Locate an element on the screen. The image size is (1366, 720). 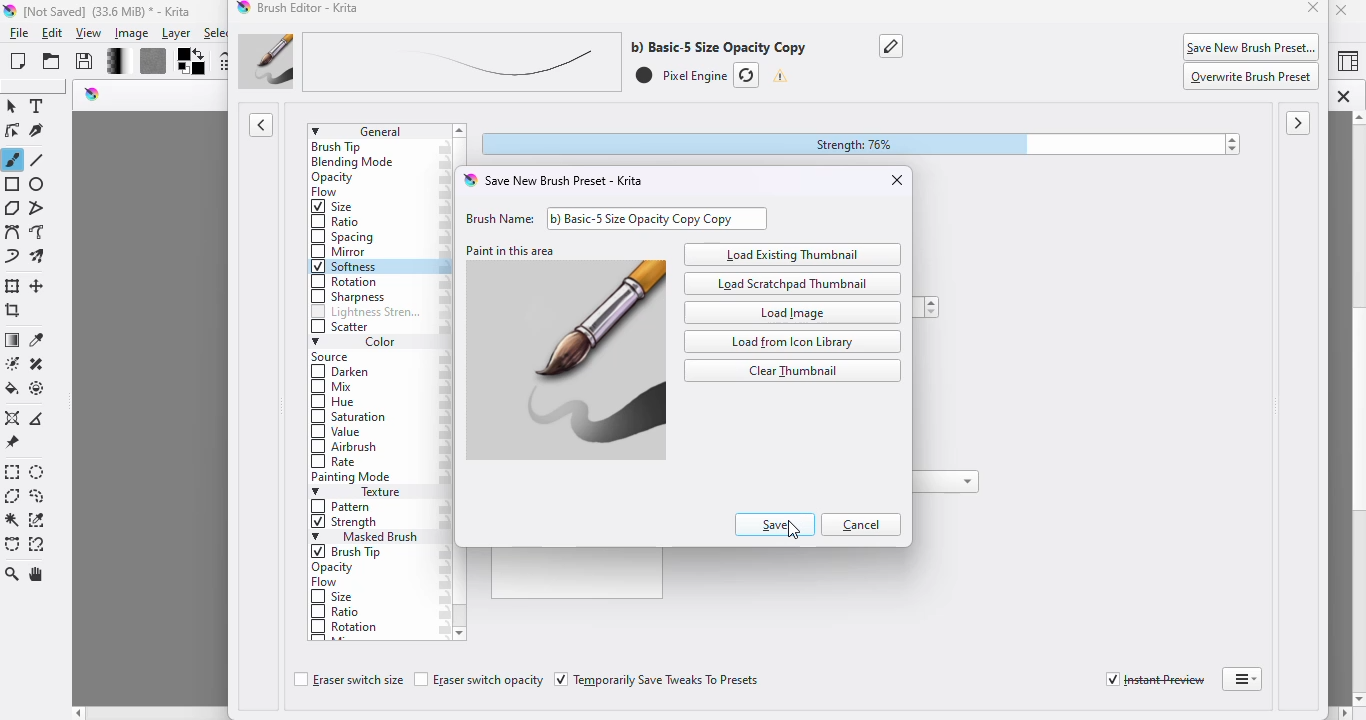
toggle showing scratchpad is located at coordinates (1299, 124).